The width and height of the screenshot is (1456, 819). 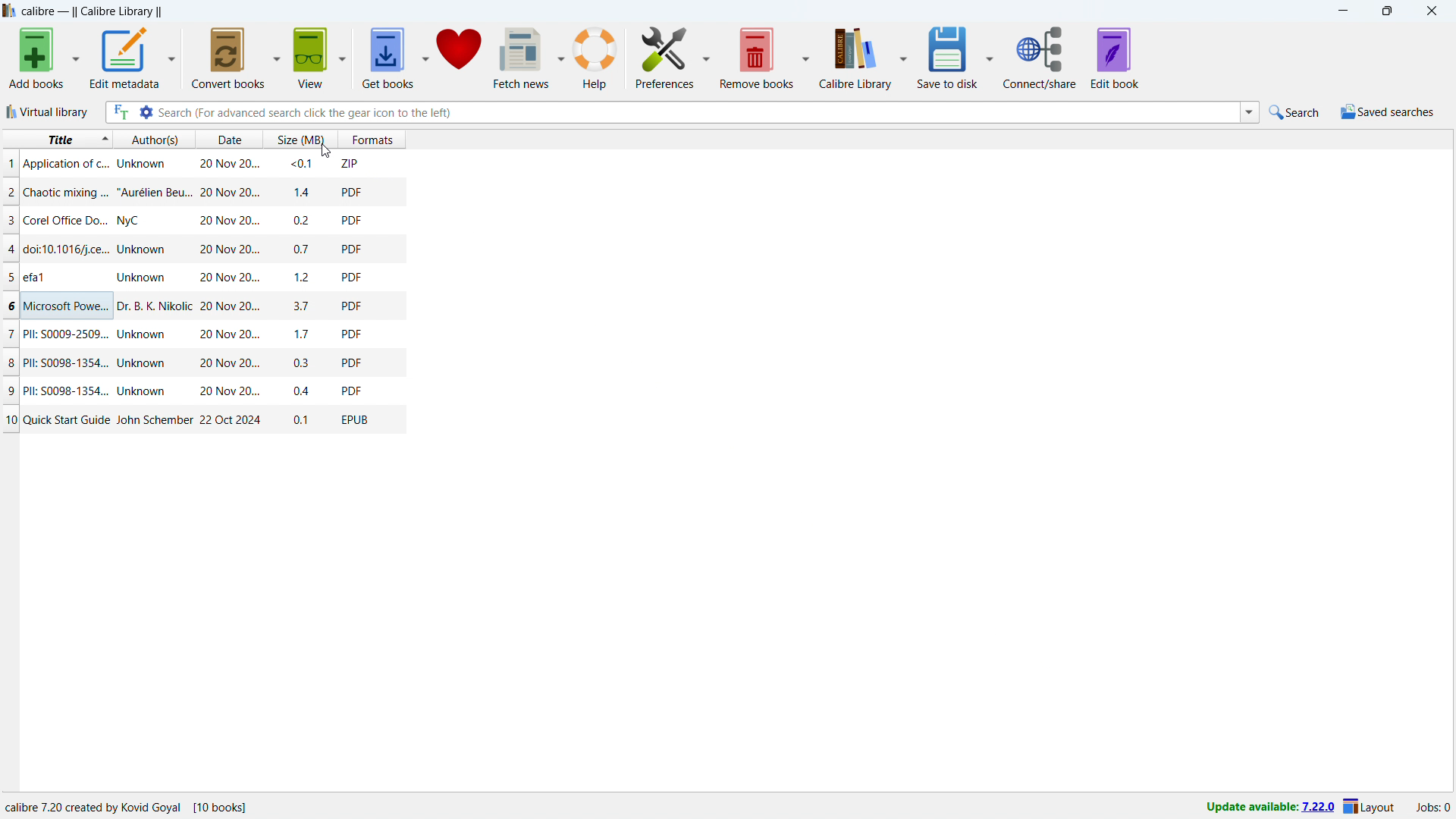 What do you see at coordinates (229, 221) in the screenshot?
I see `date` at bounding box center [229, 221].